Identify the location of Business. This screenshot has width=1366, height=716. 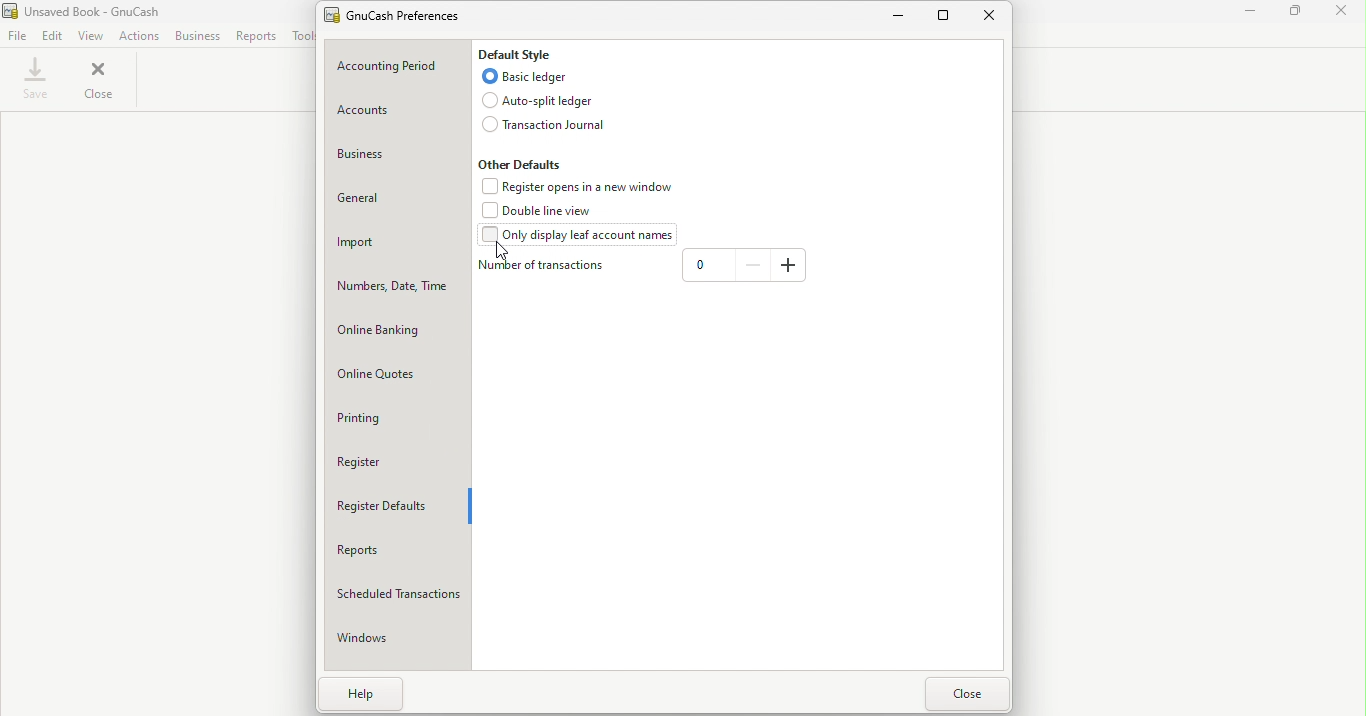
(402, 157).